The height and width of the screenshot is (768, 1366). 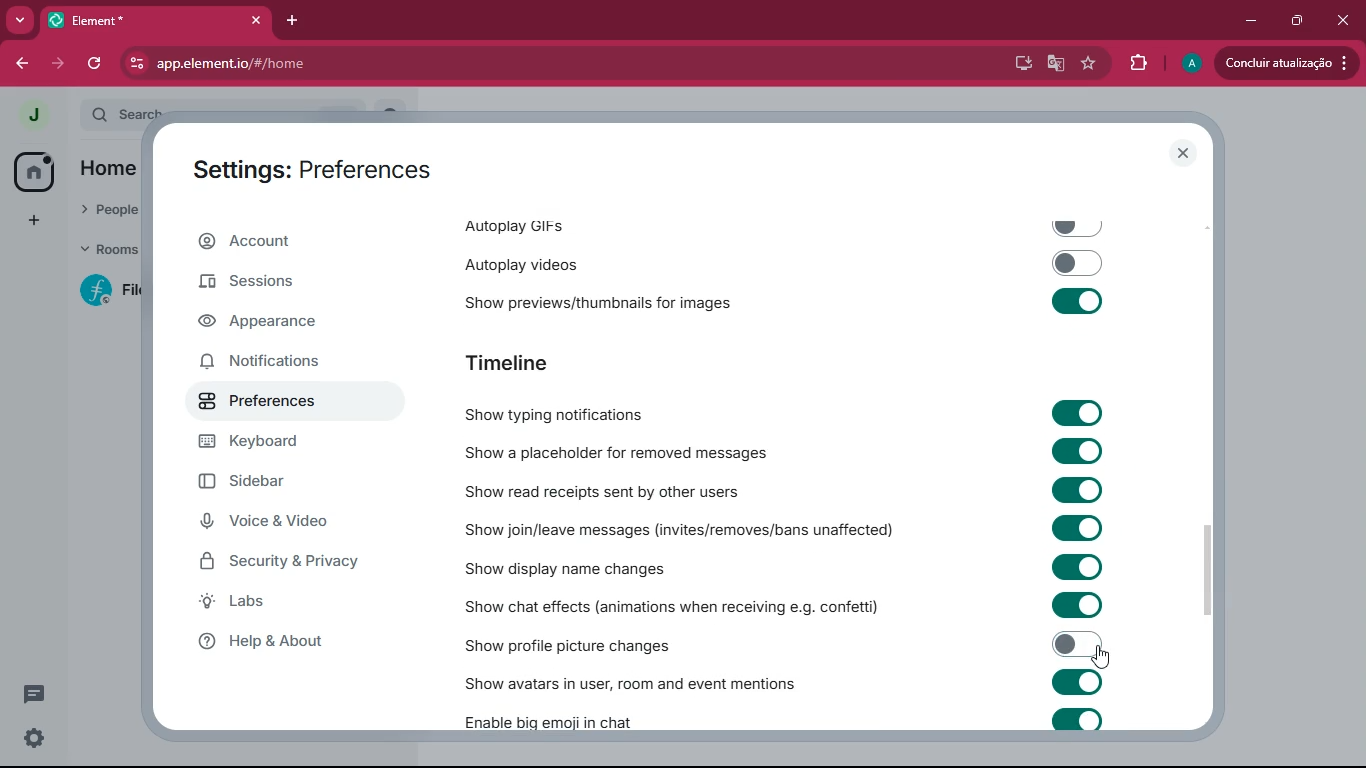 What do you see at coordinates (58, 66) in the screenshot?
I see `forward` at bounding box center [58, 66].